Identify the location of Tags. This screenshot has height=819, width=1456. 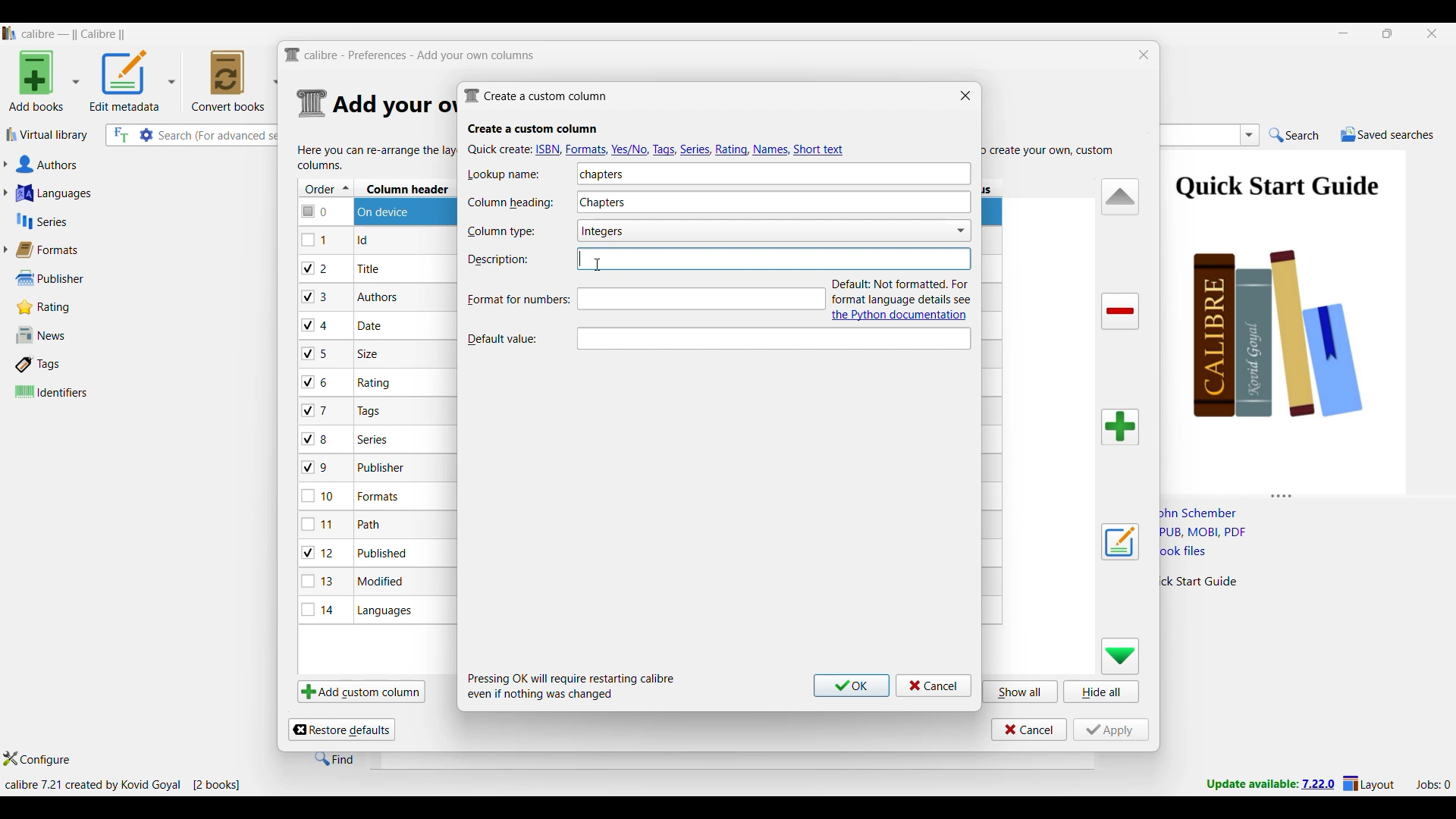
(71, 364).